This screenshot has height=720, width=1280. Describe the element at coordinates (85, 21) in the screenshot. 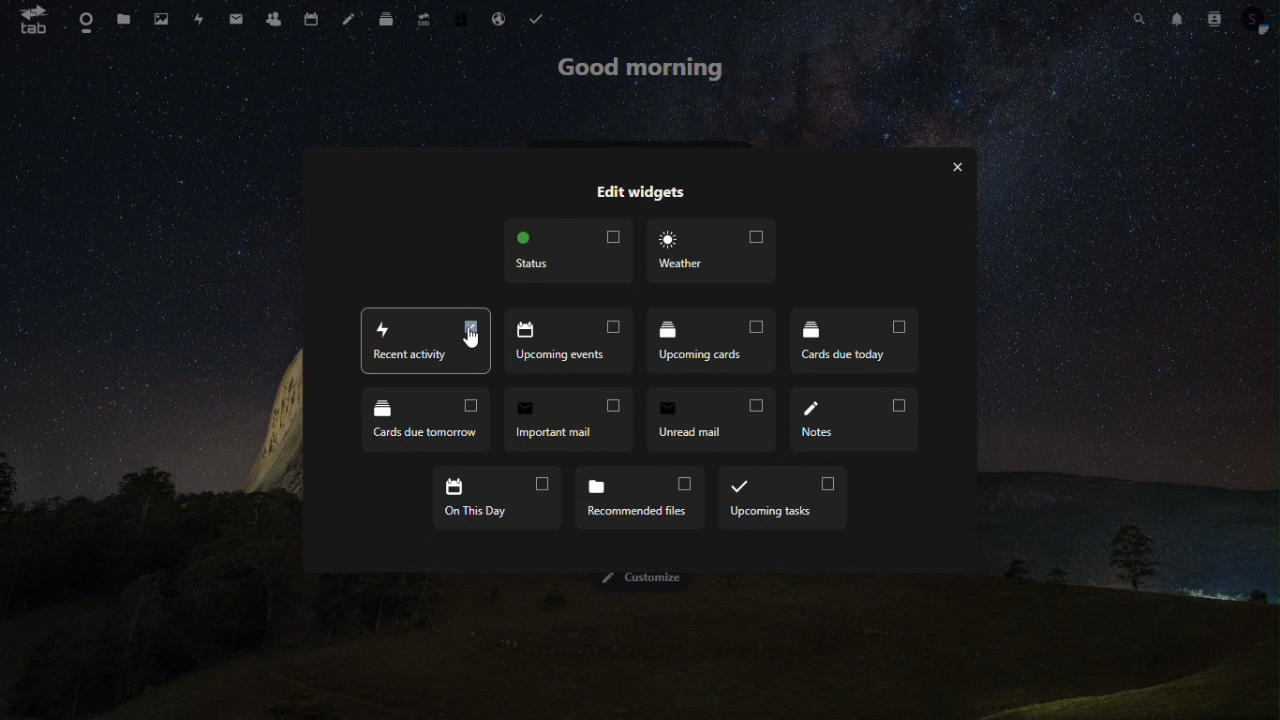

I see `dashboard` at that location.